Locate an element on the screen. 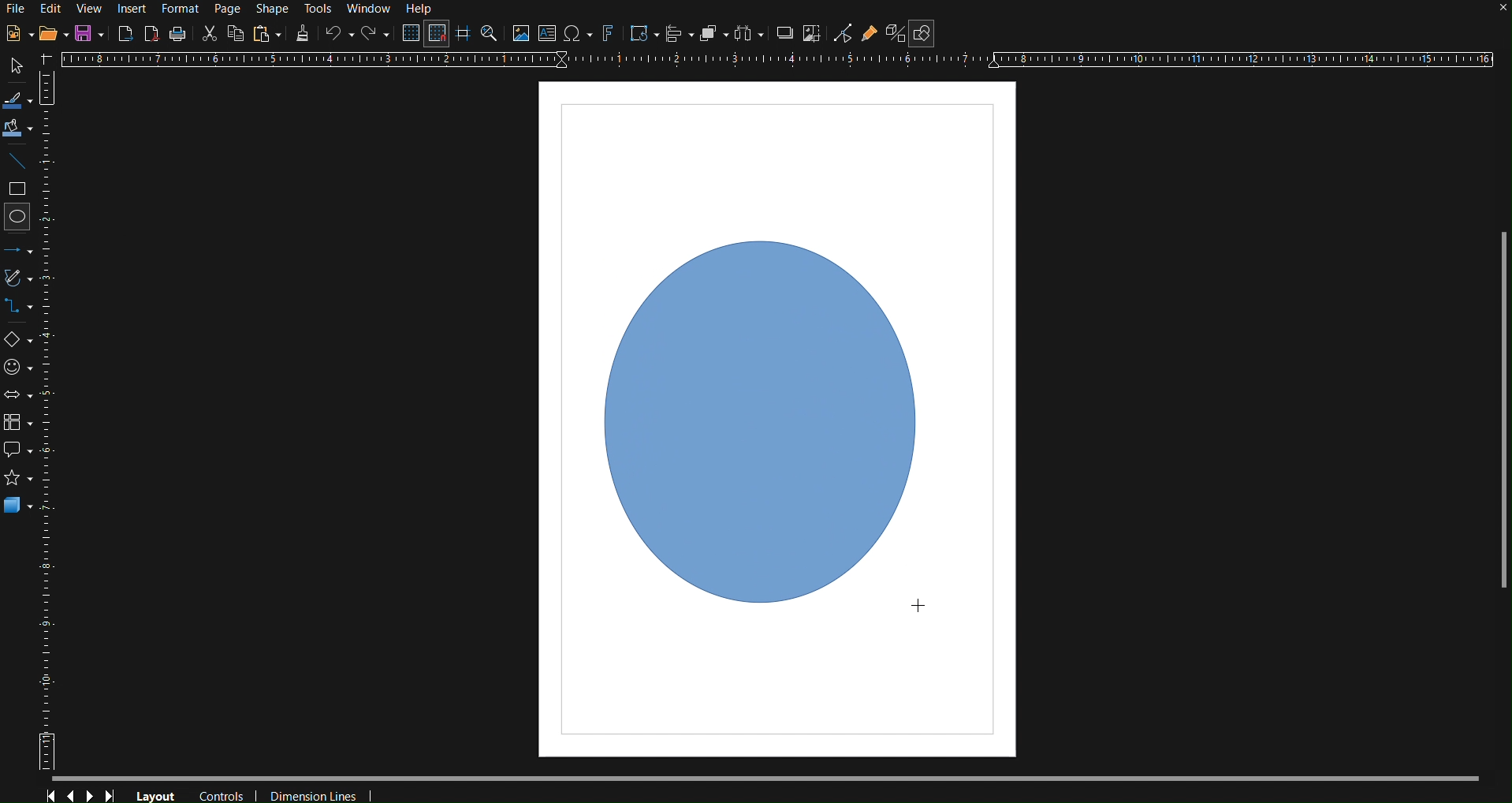 Image resolution: width=1512 pixels, height=803 pixels. Helplines while moving is located at coordinates (462, 34).